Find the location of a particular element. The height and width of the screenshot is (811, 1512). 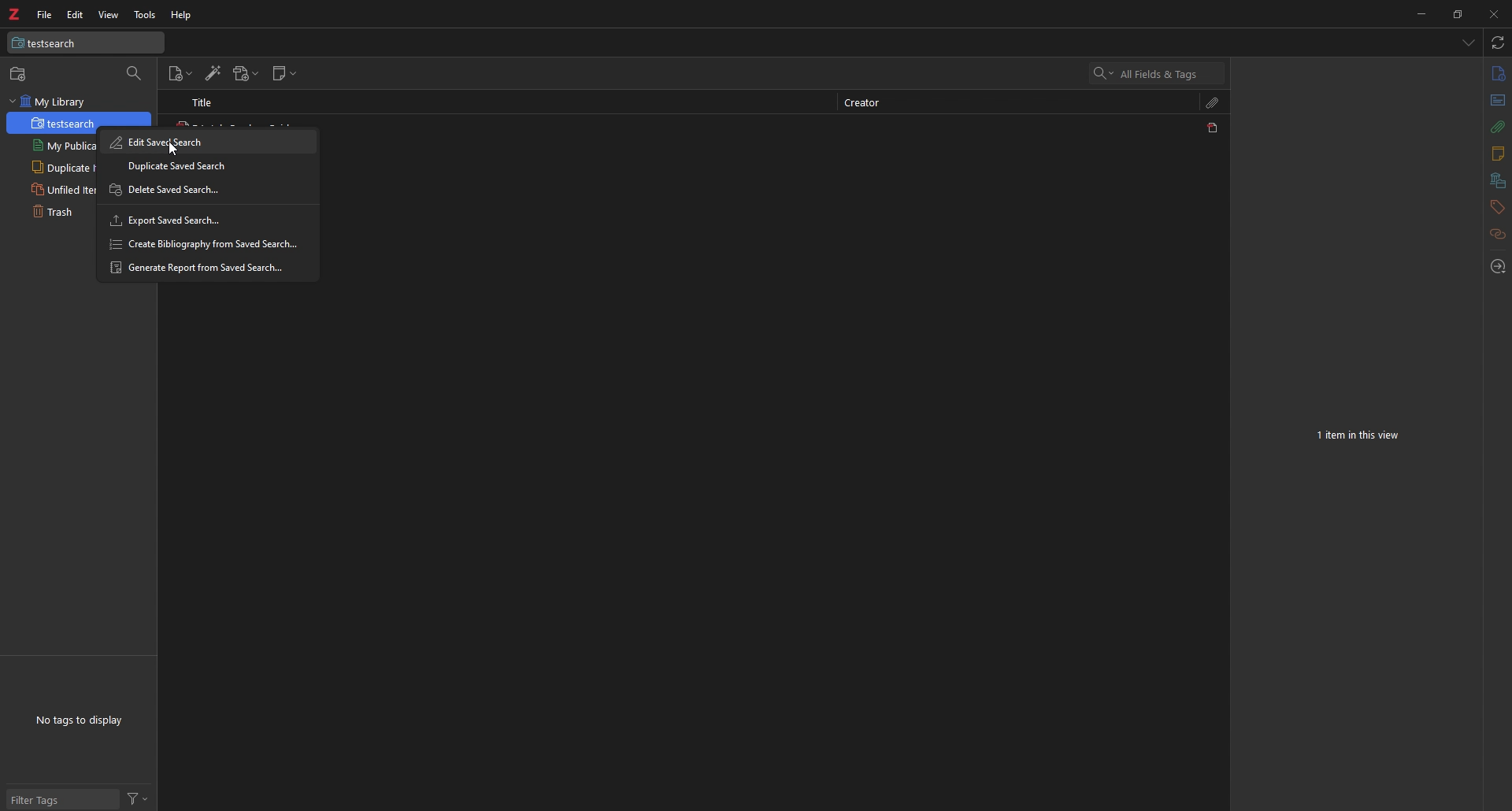

duplicate saved search is located at coordinates (207, 165).